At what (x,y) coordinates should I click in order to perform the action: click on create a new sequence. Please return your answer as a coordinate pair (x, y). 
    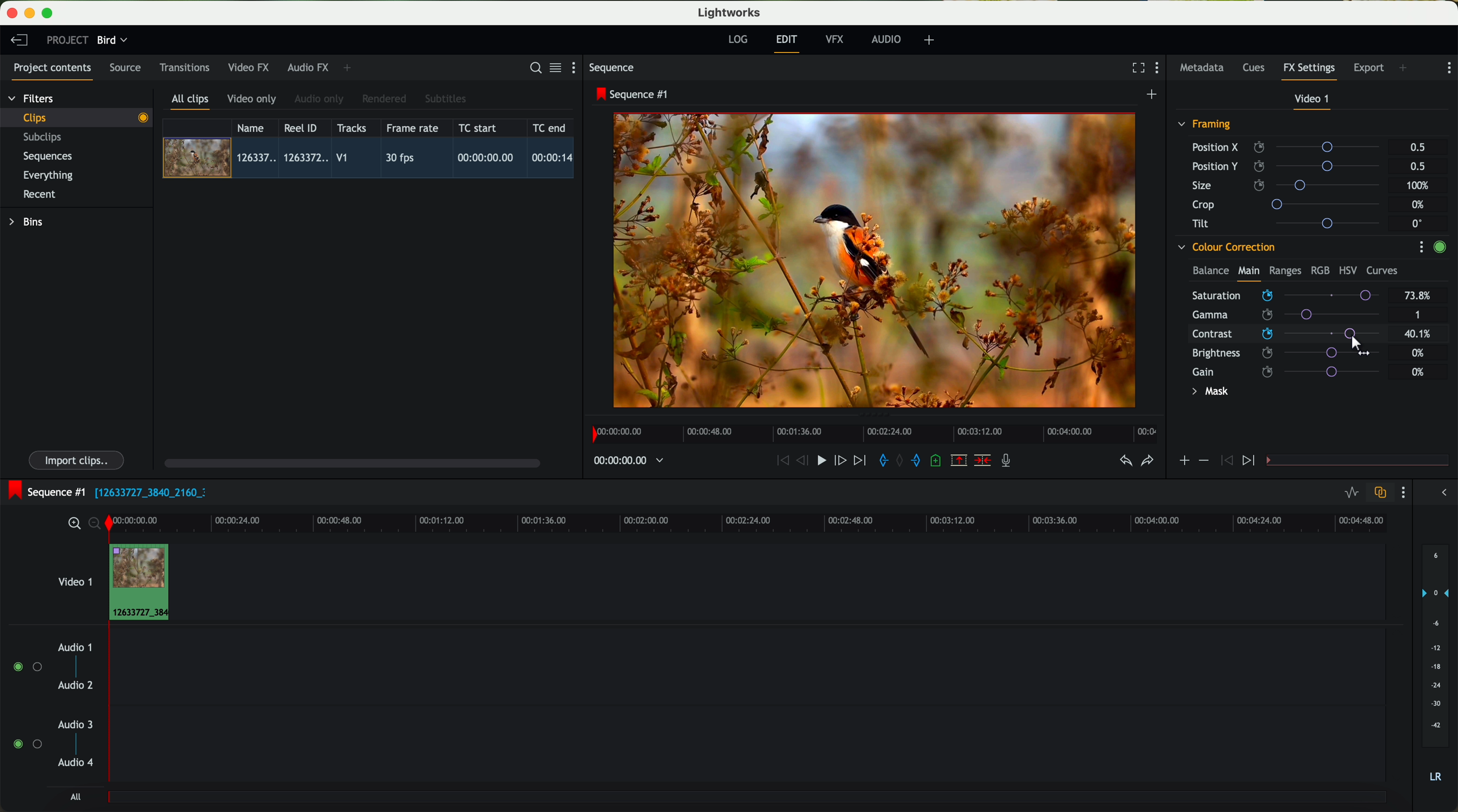
    Looking at the image, I should click on (1153, 95).